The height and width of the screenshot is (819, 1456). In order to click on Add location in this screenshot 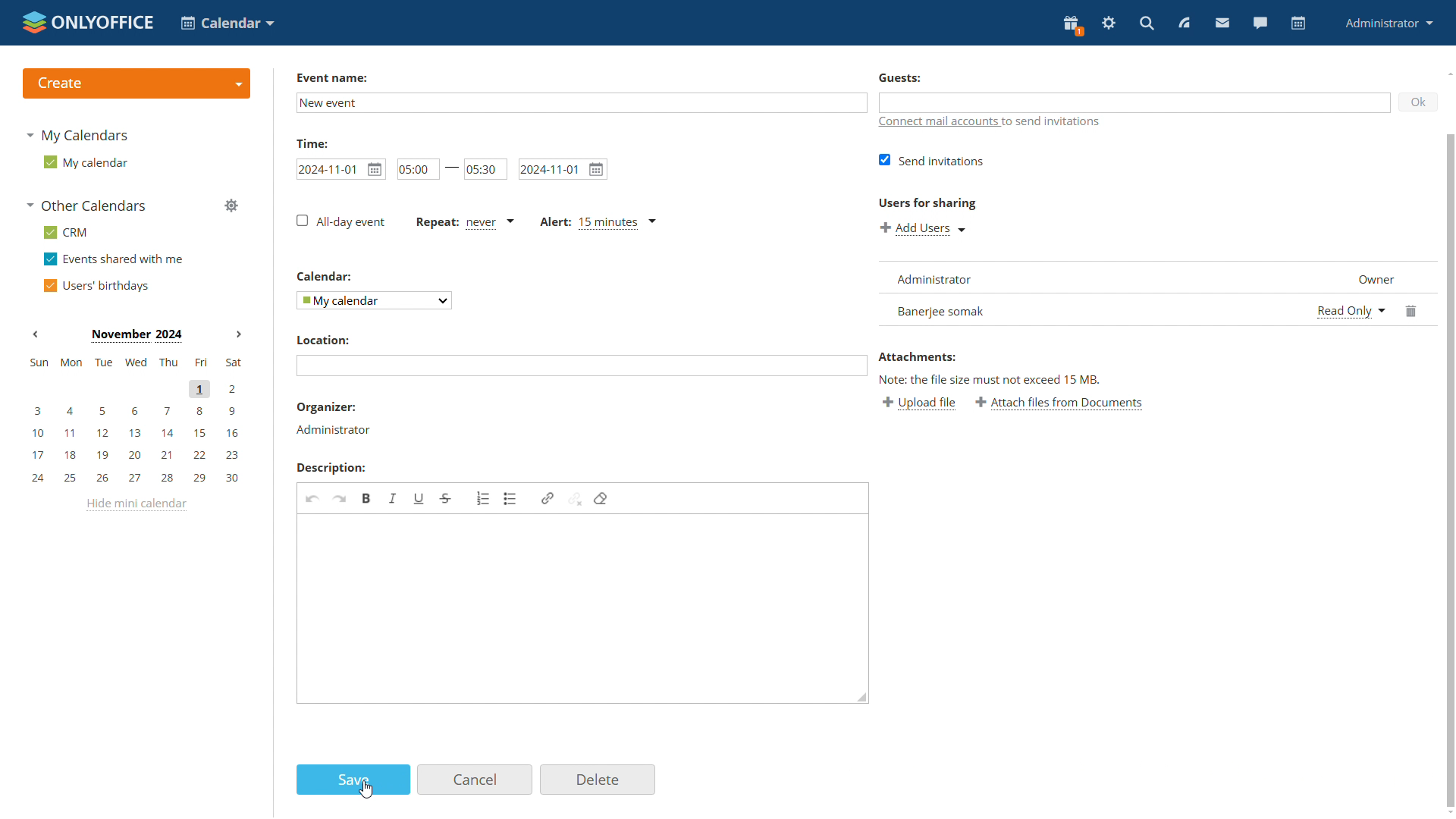, I will do `click(582, 366)`.